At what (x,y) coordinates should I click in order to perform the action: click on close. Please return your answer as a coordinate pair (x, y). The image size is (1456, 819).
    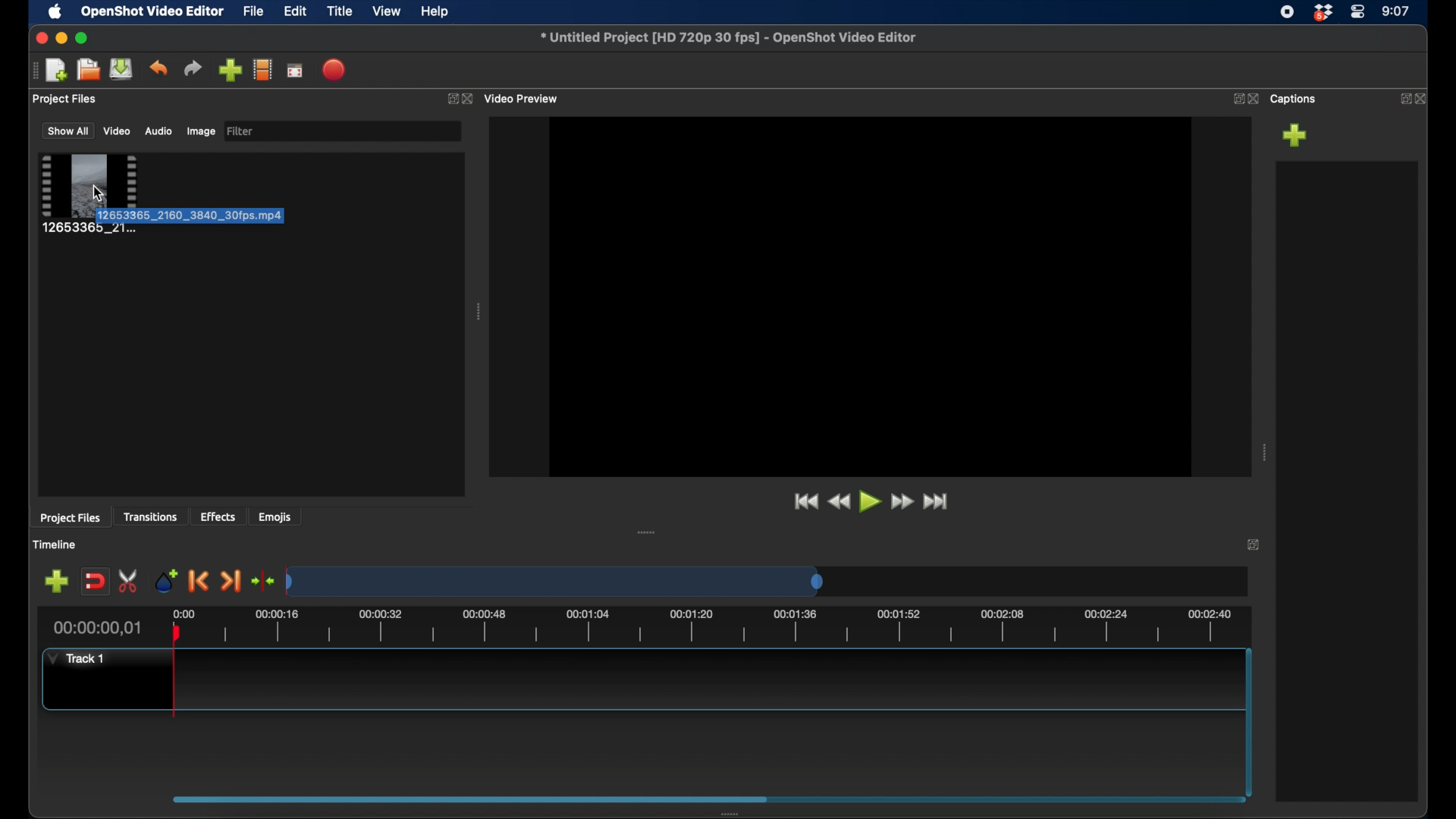
    Looking at the image, I should click on (1254, 99).